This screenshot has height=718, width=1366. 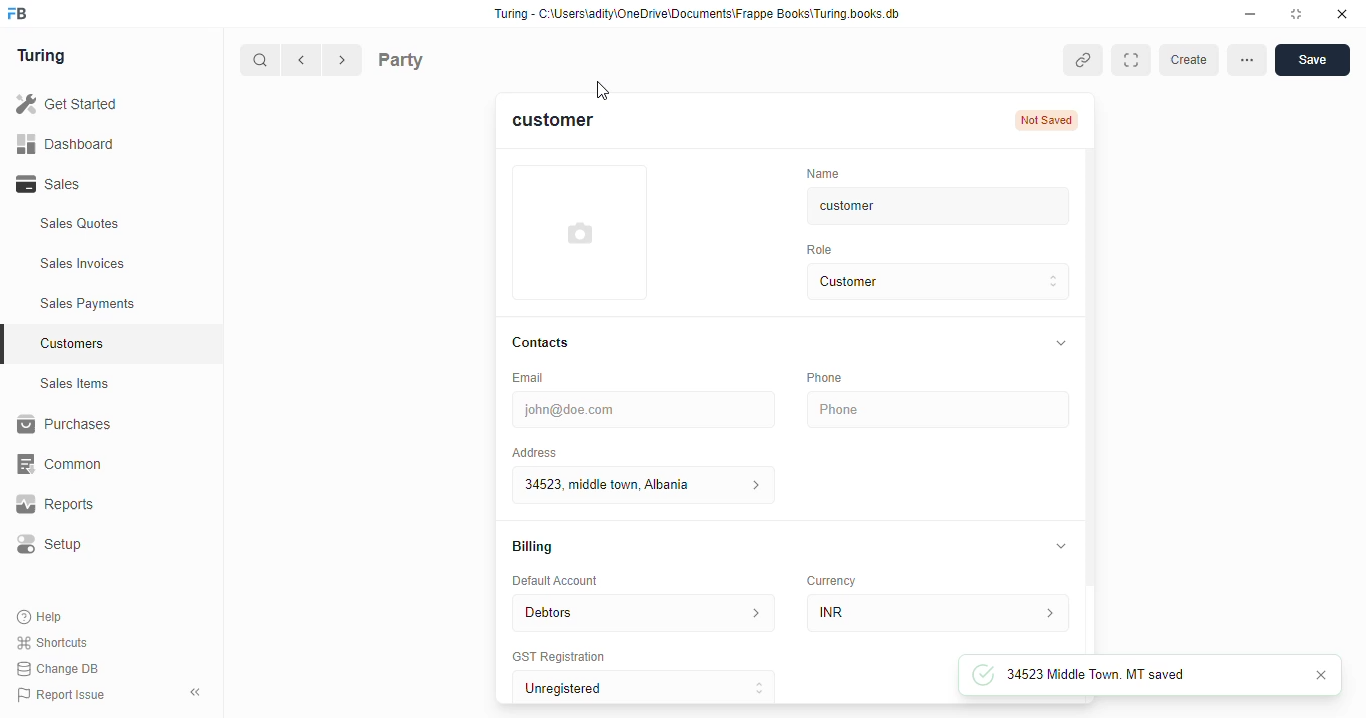 What do you see at coordinates (98, 184) in the screenshot?
I see `Sales` at bounding box center [98, 184].